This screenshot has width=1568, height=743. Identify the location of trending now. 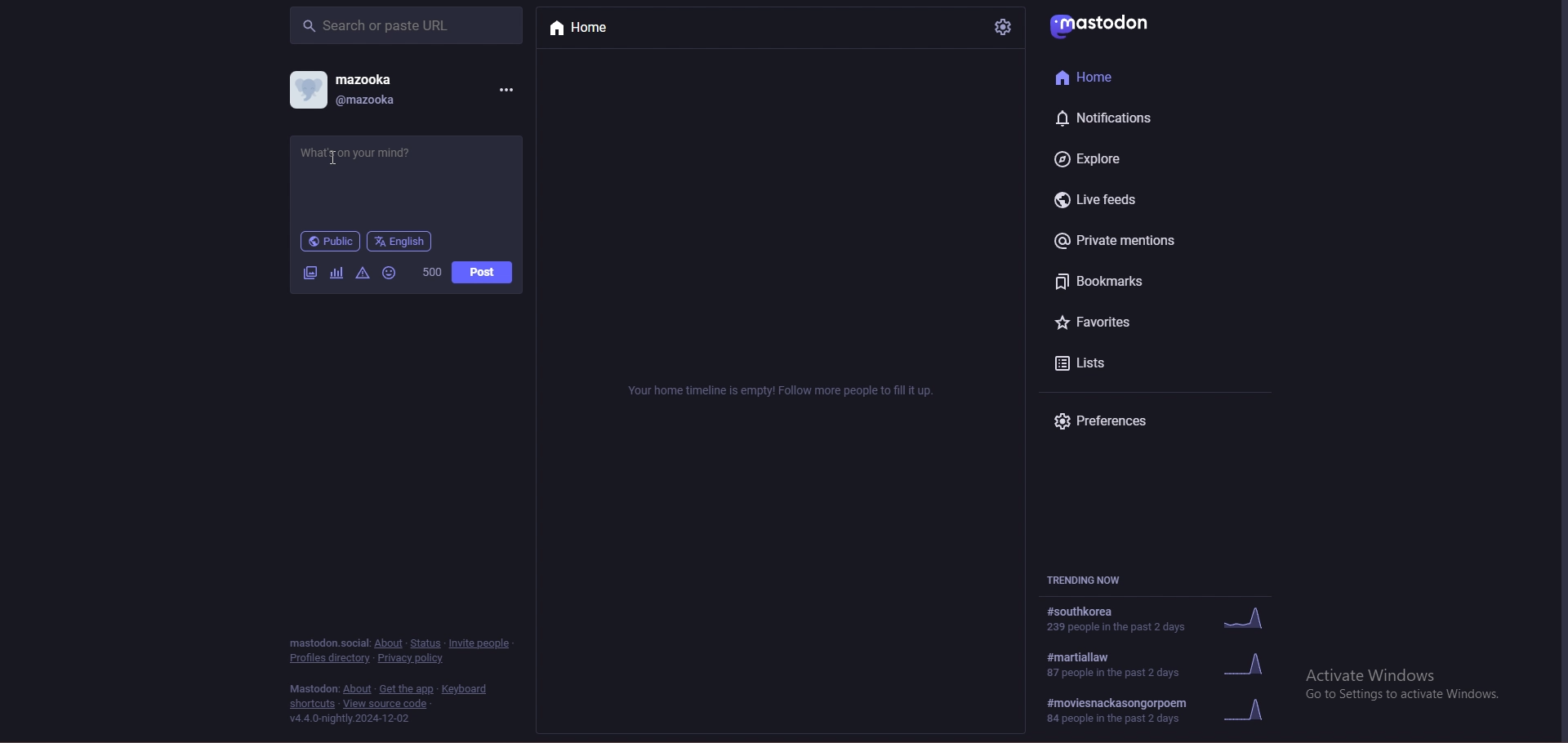
(1097, 581).